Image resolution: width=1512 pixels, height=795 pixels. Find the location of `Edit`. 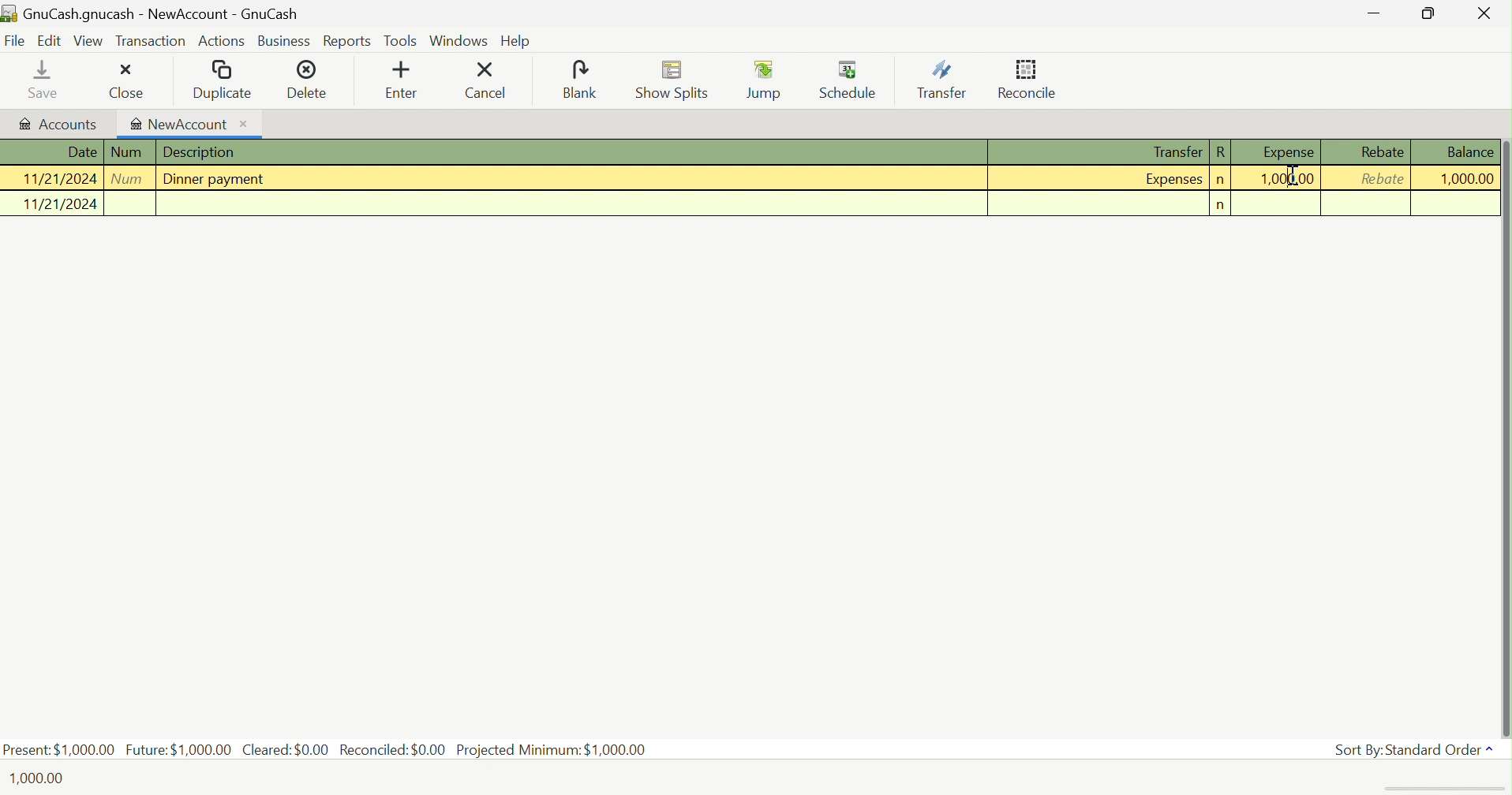

Edit is located at coordinates (48, 40).